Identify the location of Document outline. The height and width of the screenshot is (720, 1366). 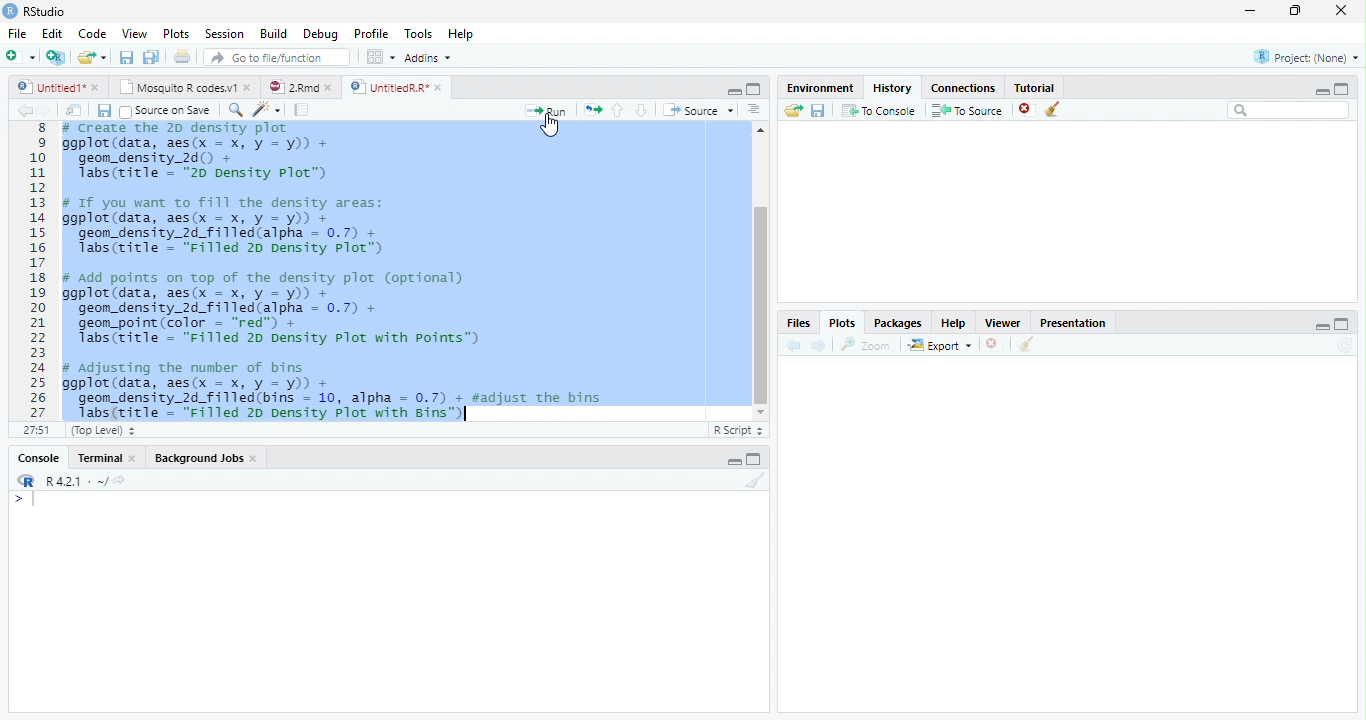
(754, 111).